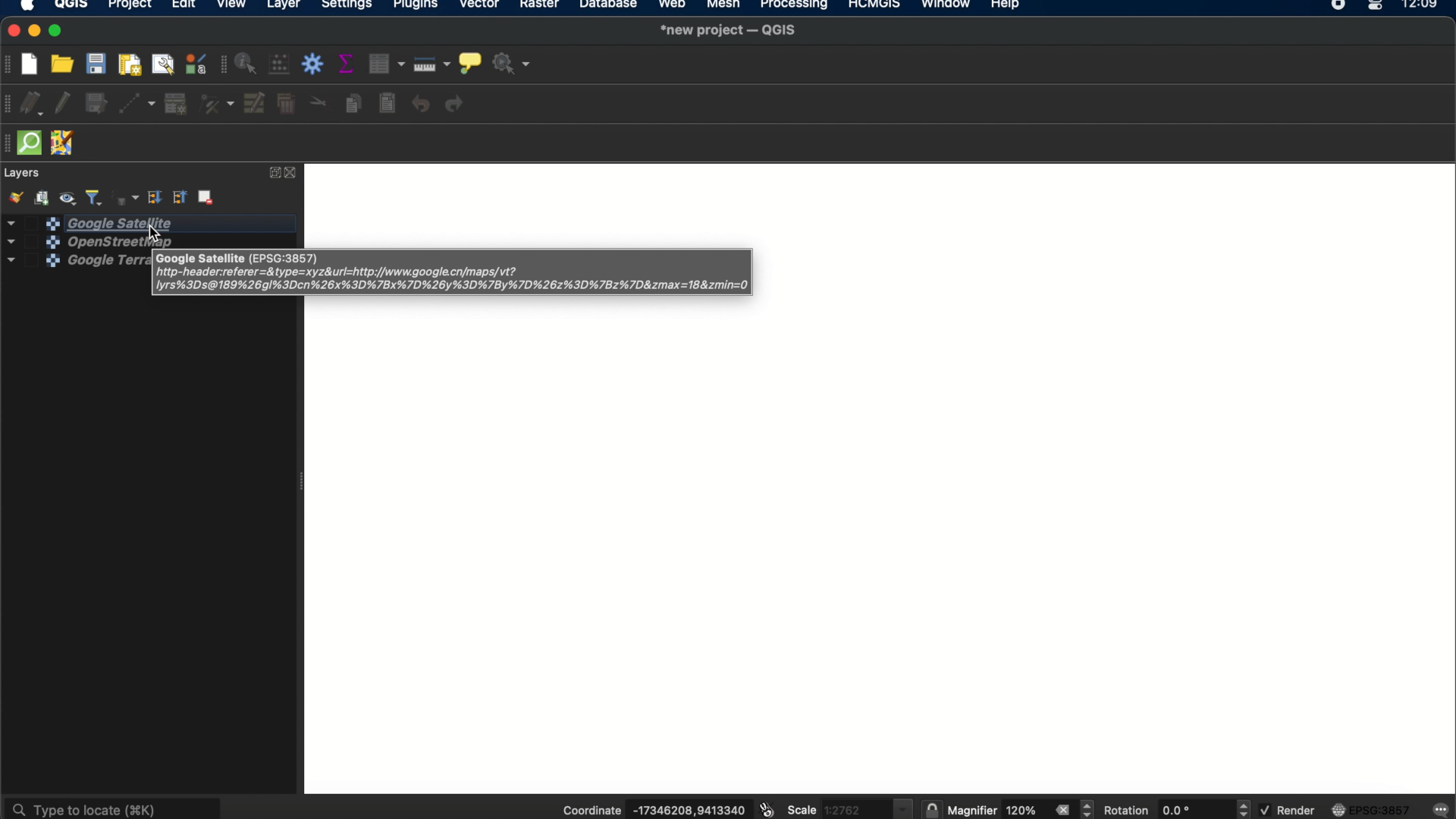  I want to click on manage map themes, so click(70, 196).